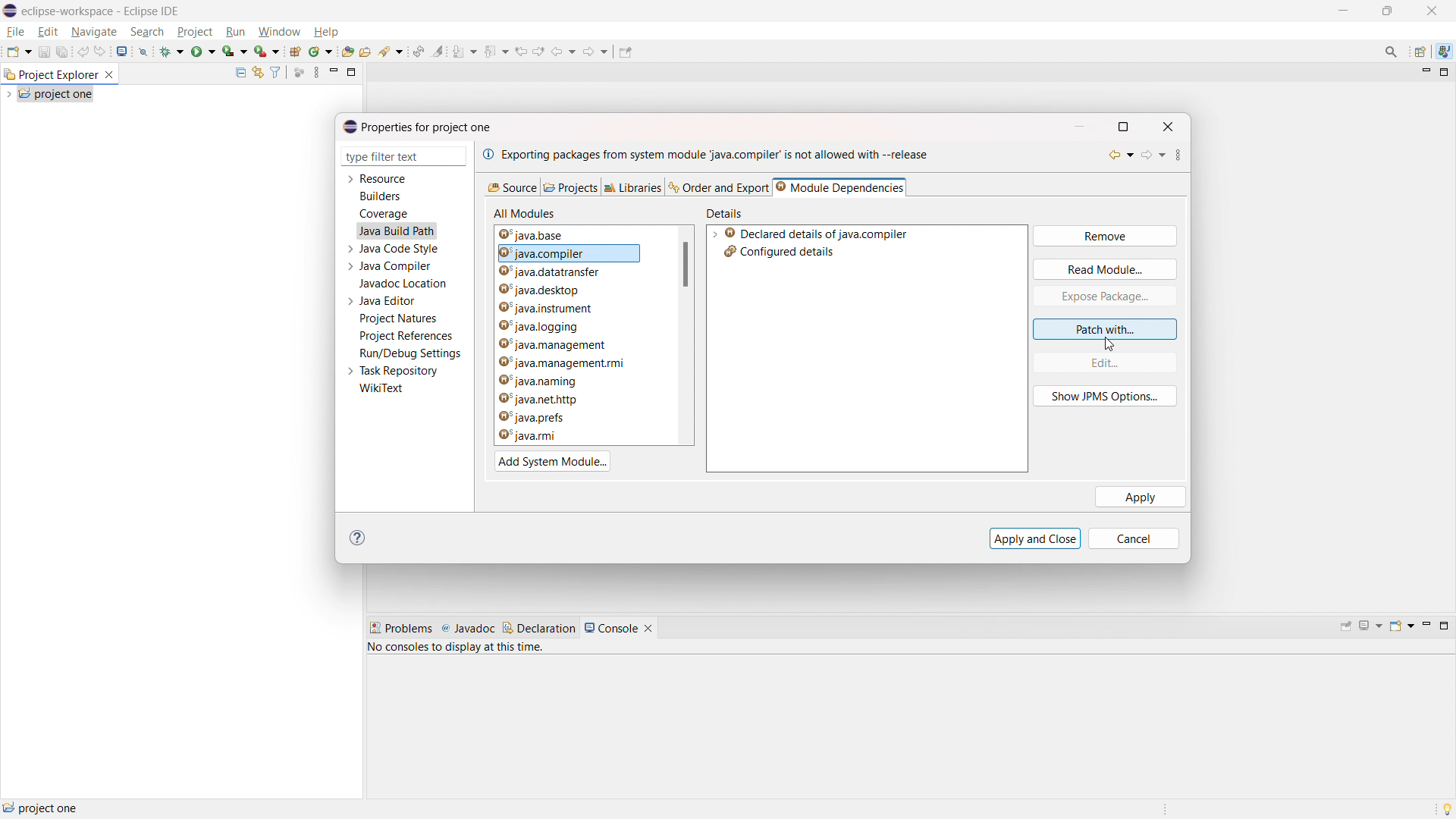 This screenshot has width=1456, height=819. I want to click on declared details of java.compiler, so click(816, 234).